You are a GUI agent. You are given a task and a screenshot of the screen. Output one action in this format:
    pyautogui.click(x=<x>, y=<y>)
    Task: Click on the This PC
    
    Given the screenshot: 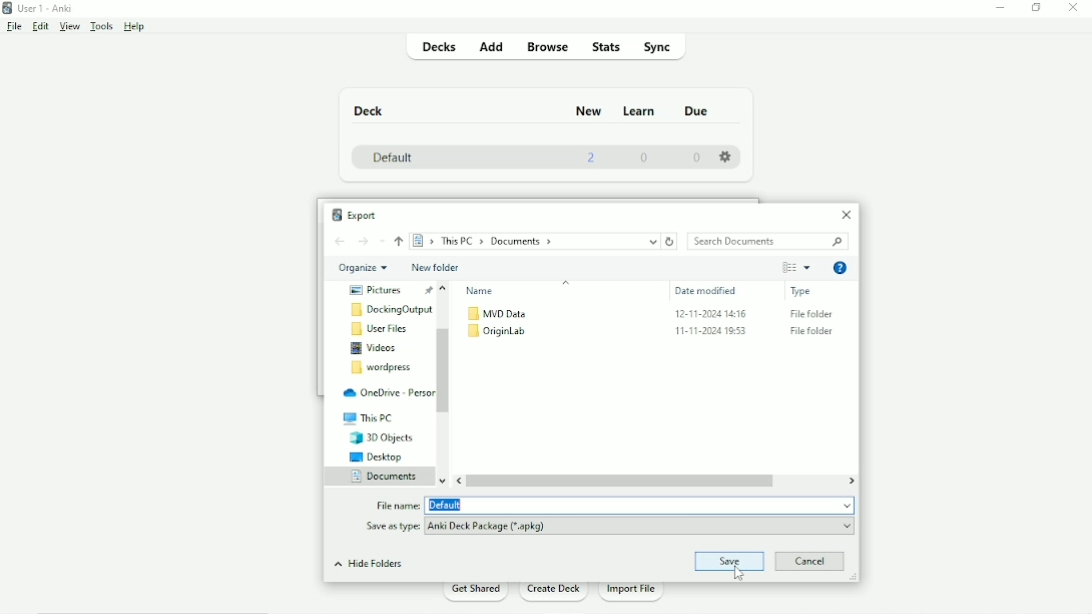 What is the action you would take?
    pyautogui.click(x=370, y=417)
    